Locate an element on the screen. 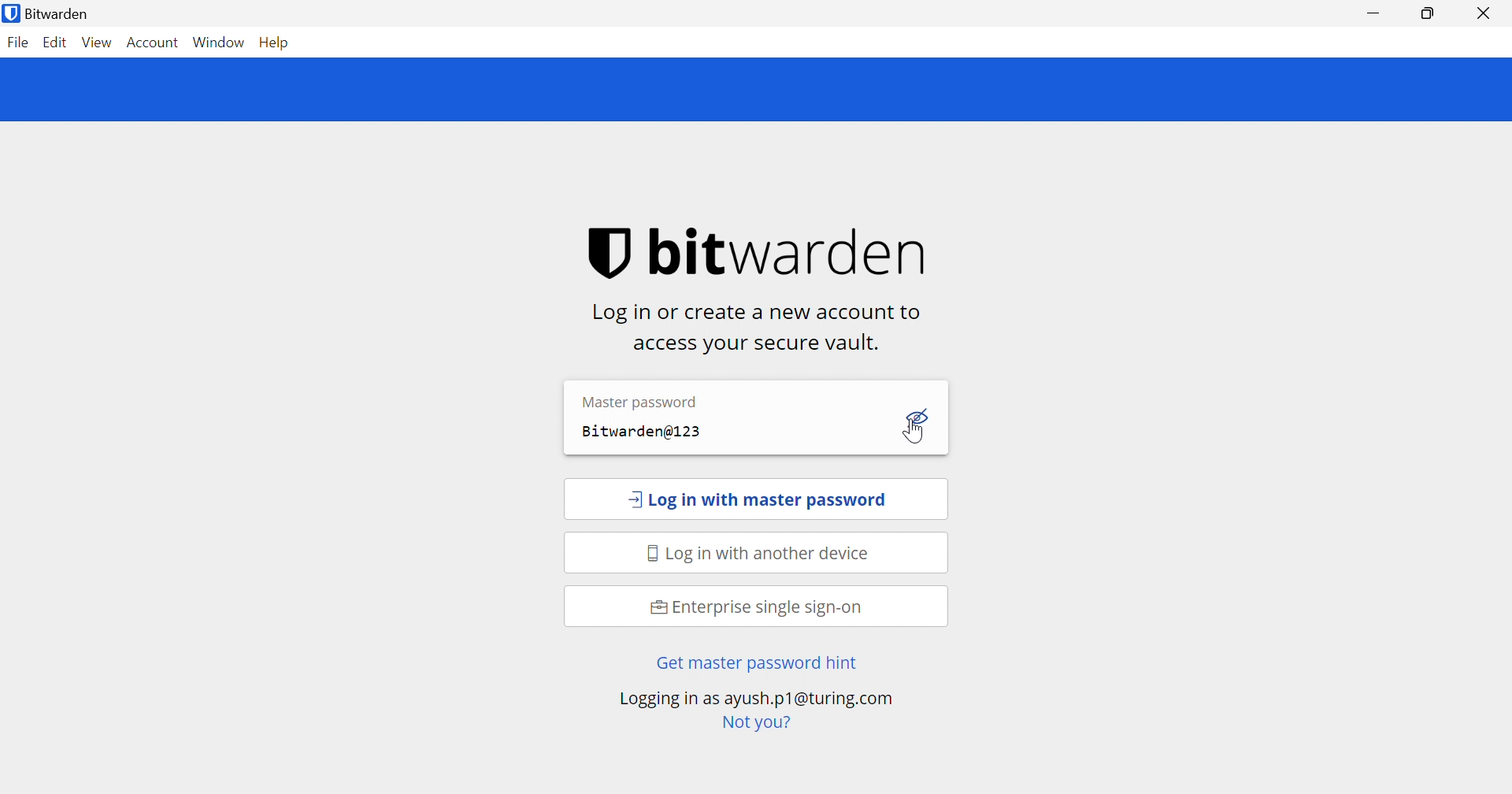  access your vault. is located at coordinates (754, 344).